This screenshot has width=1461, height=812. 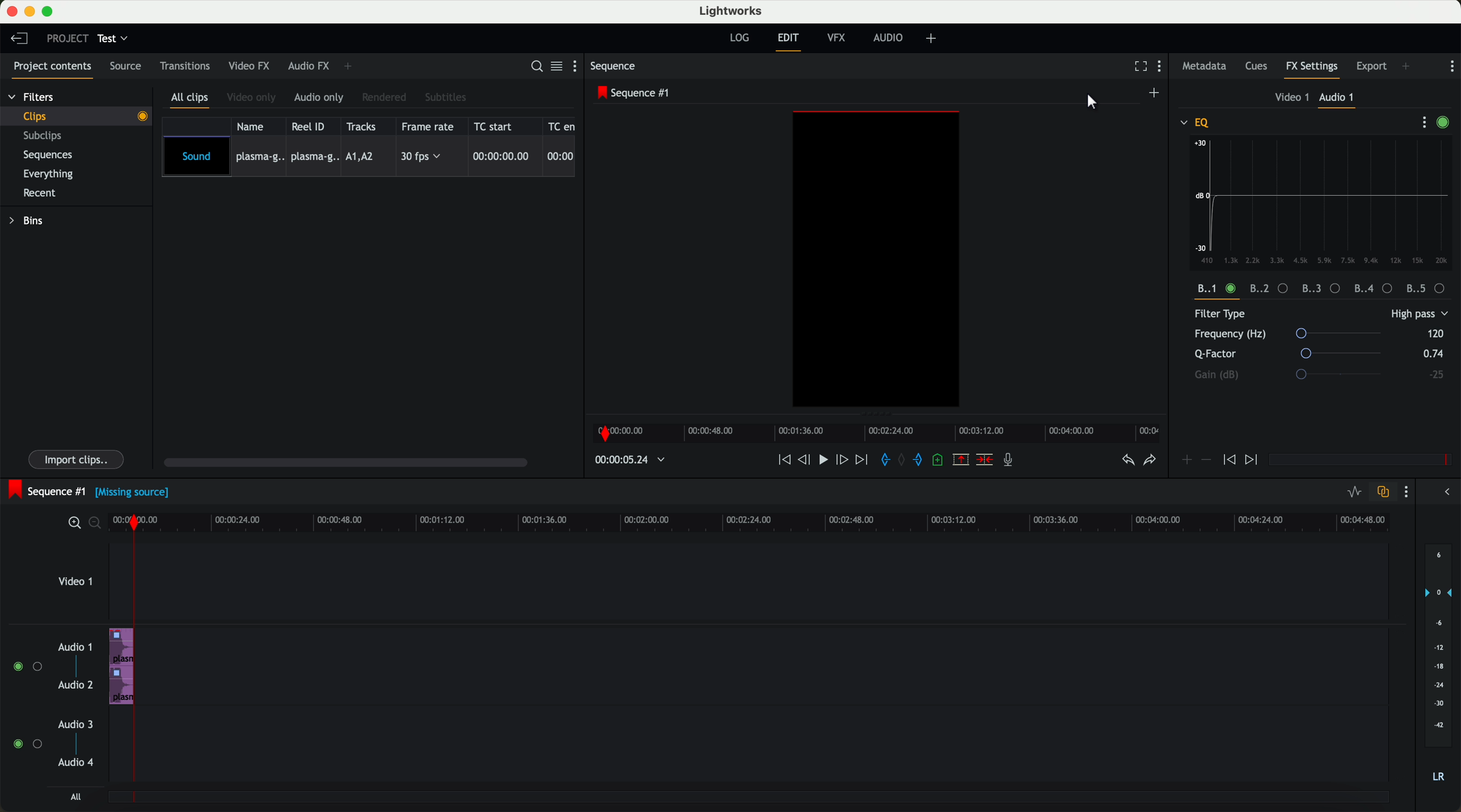 I want to click on audios, so click(x=50, y=706).